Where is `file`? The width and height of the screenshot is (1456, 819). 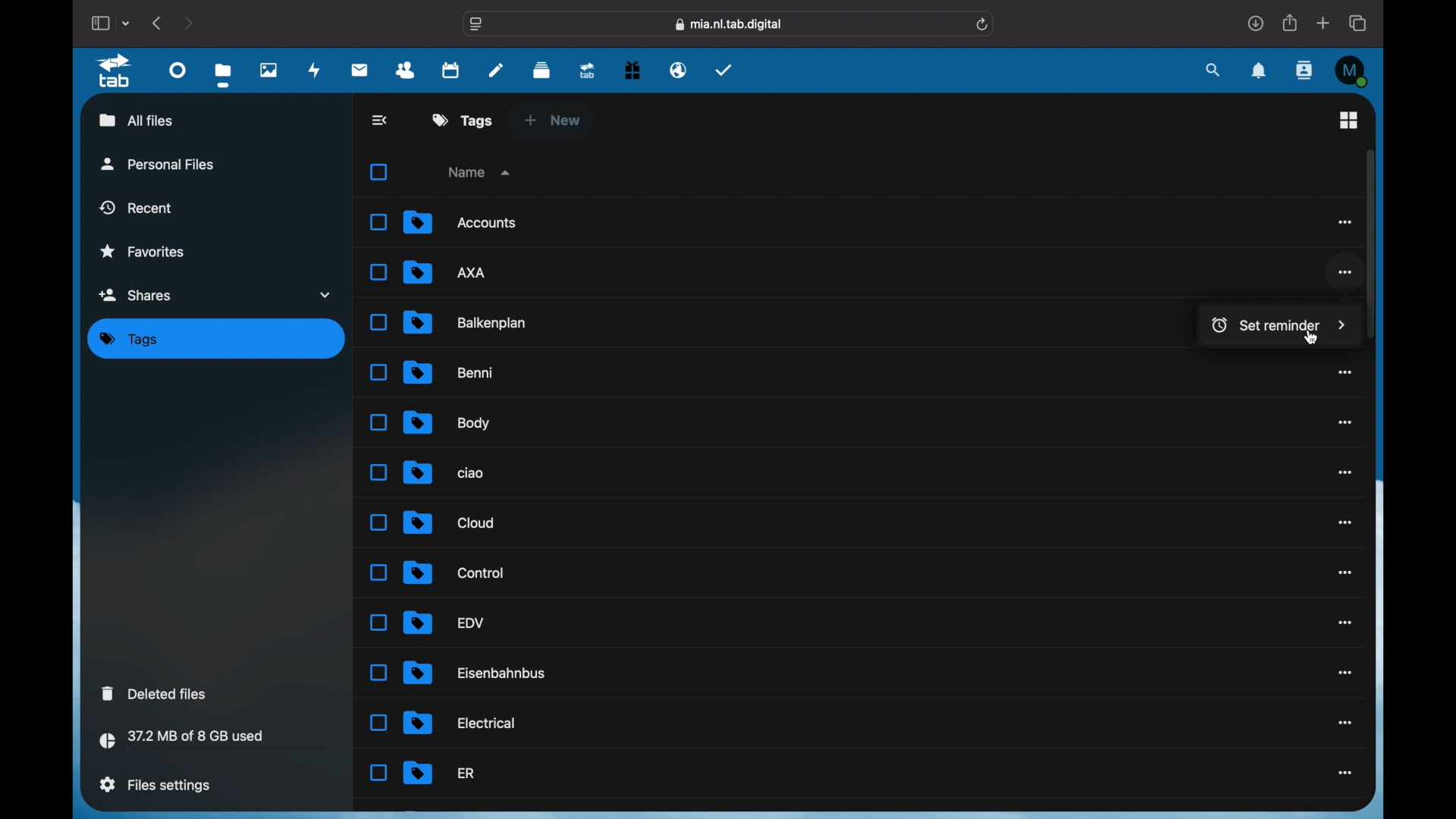 file is located at coordinates (440, 773).